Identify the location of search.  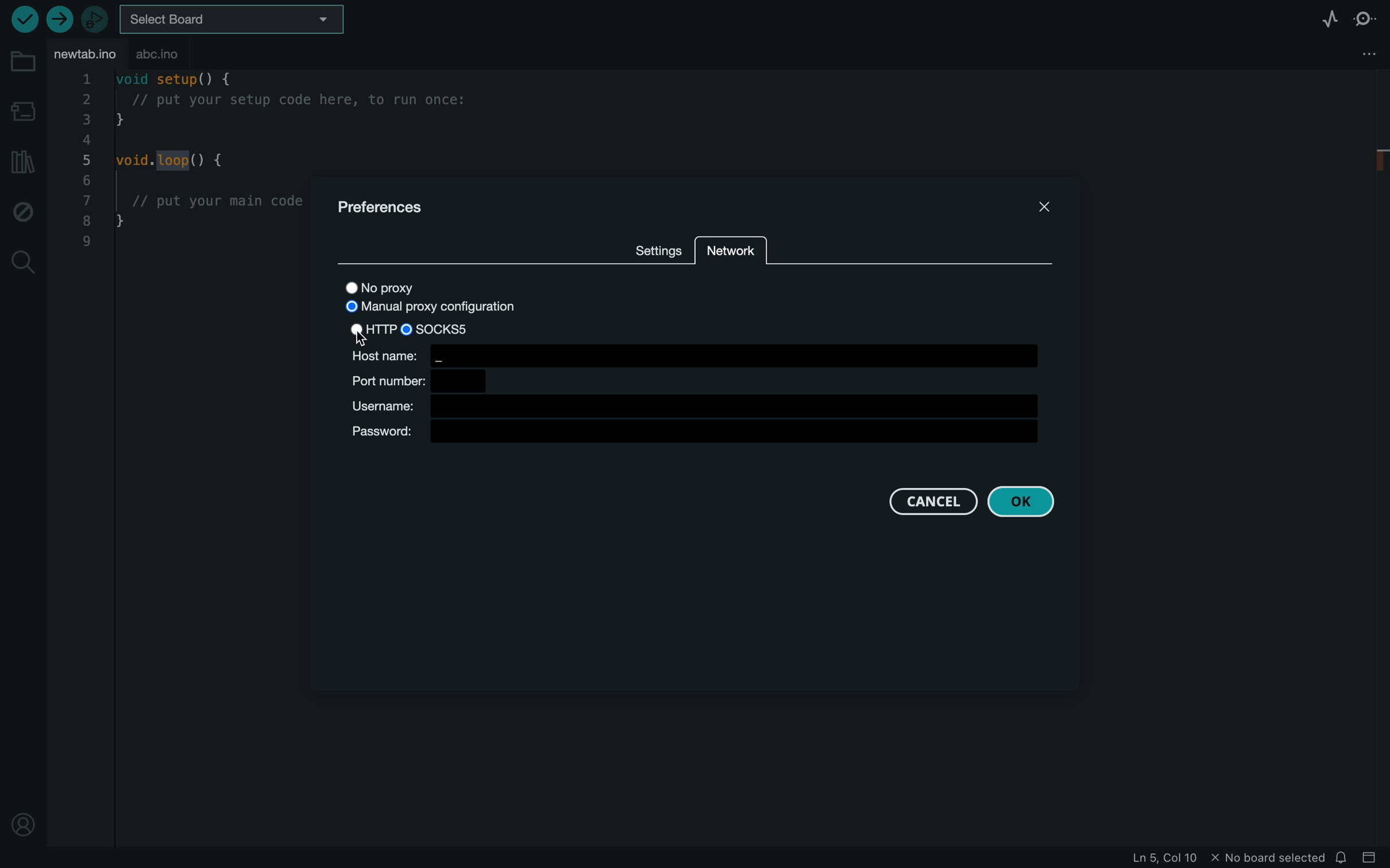
(24, 262).